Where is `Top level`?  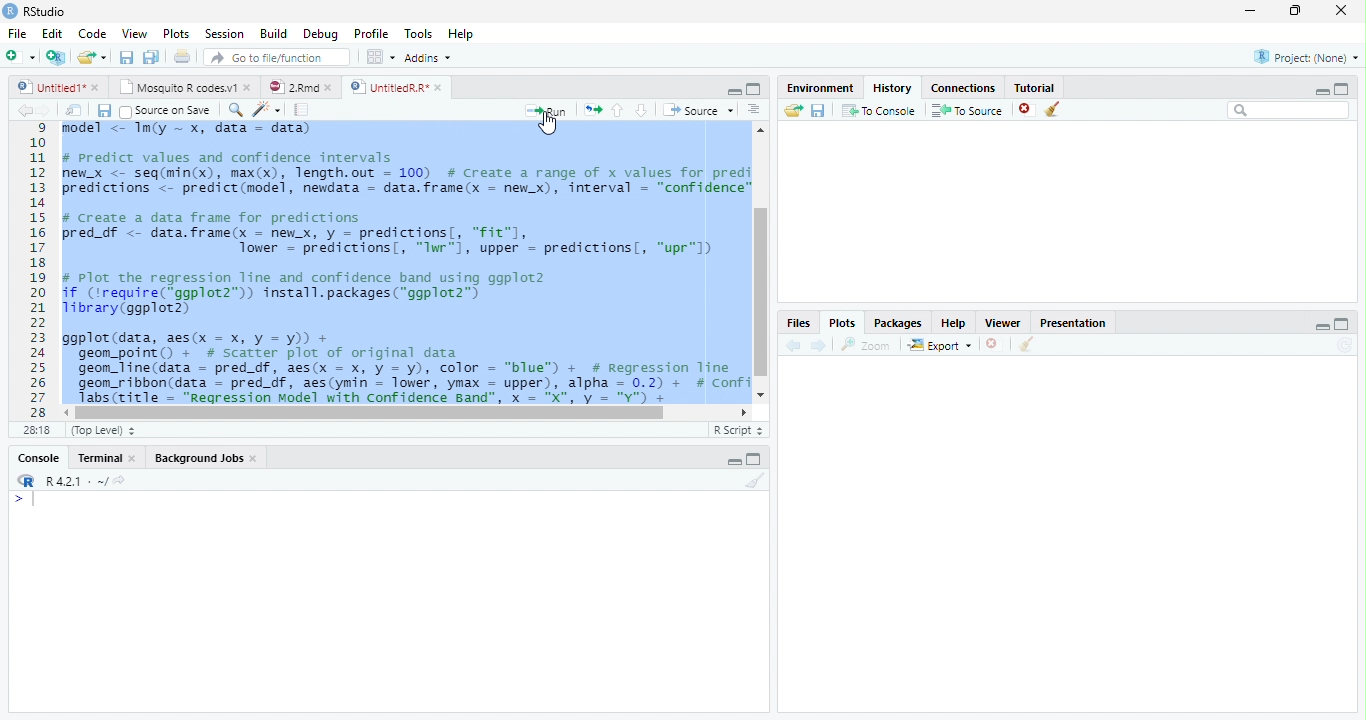
Top level is located at coordinates (102, 432).